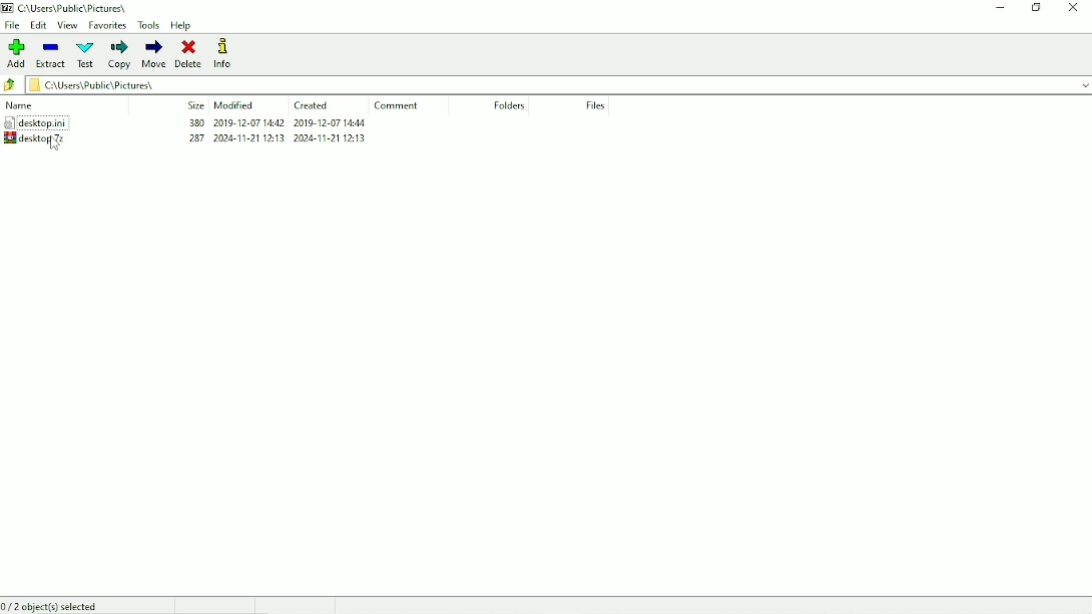 This screenshot has width=1092, height=614. What do you see at coordinates (271, 139) in the screenshot?
I see `87 2004-11-21 1213 2048-11-21 1213` at bounding box center [271, 139].